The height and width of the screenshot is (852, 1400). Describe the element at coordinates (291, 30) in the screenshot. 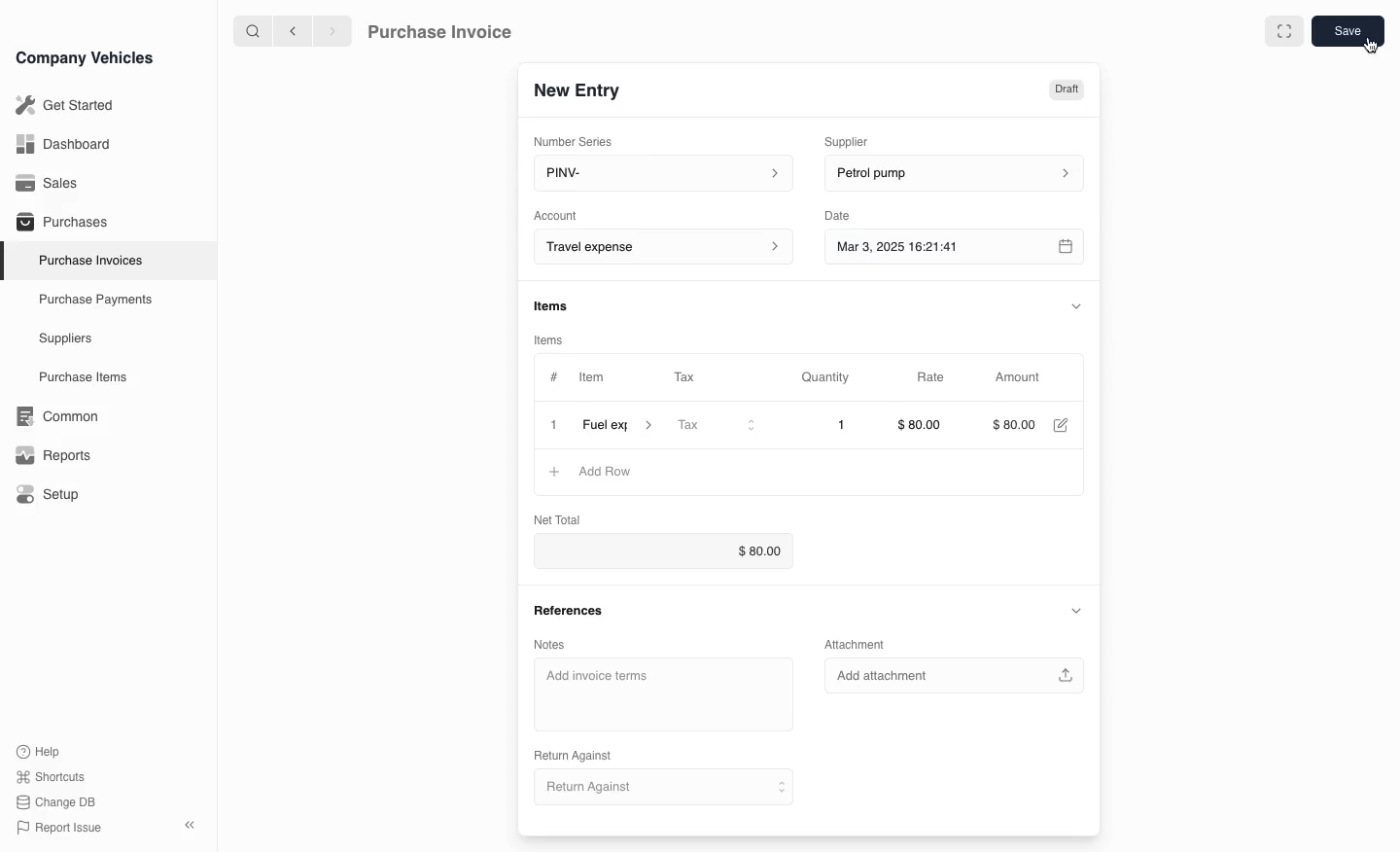

I see `previous` at that location.